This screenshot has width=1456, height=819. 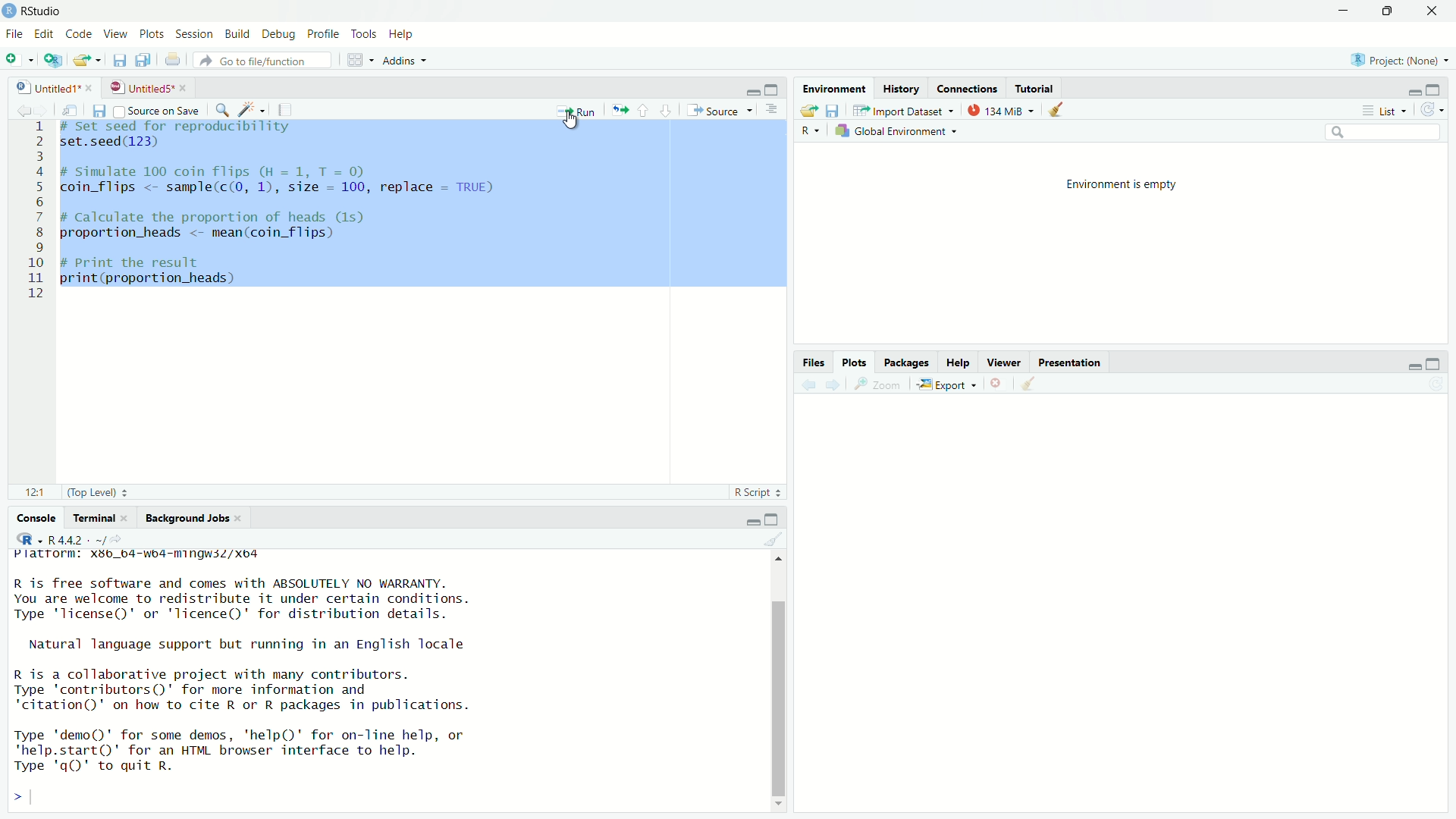 What do you see at coordinates (572, 118) in the screenshot?
I see `cursor` at bounding box center [572, 118].